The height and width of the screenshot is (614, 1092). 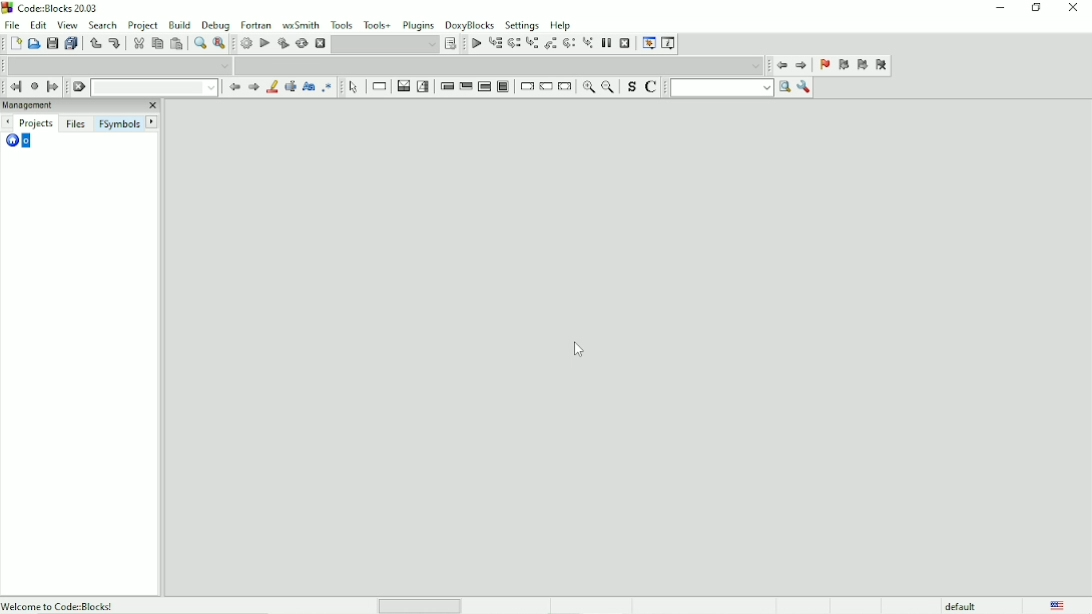 I want to click on Match case, so click(x=307, y=87).